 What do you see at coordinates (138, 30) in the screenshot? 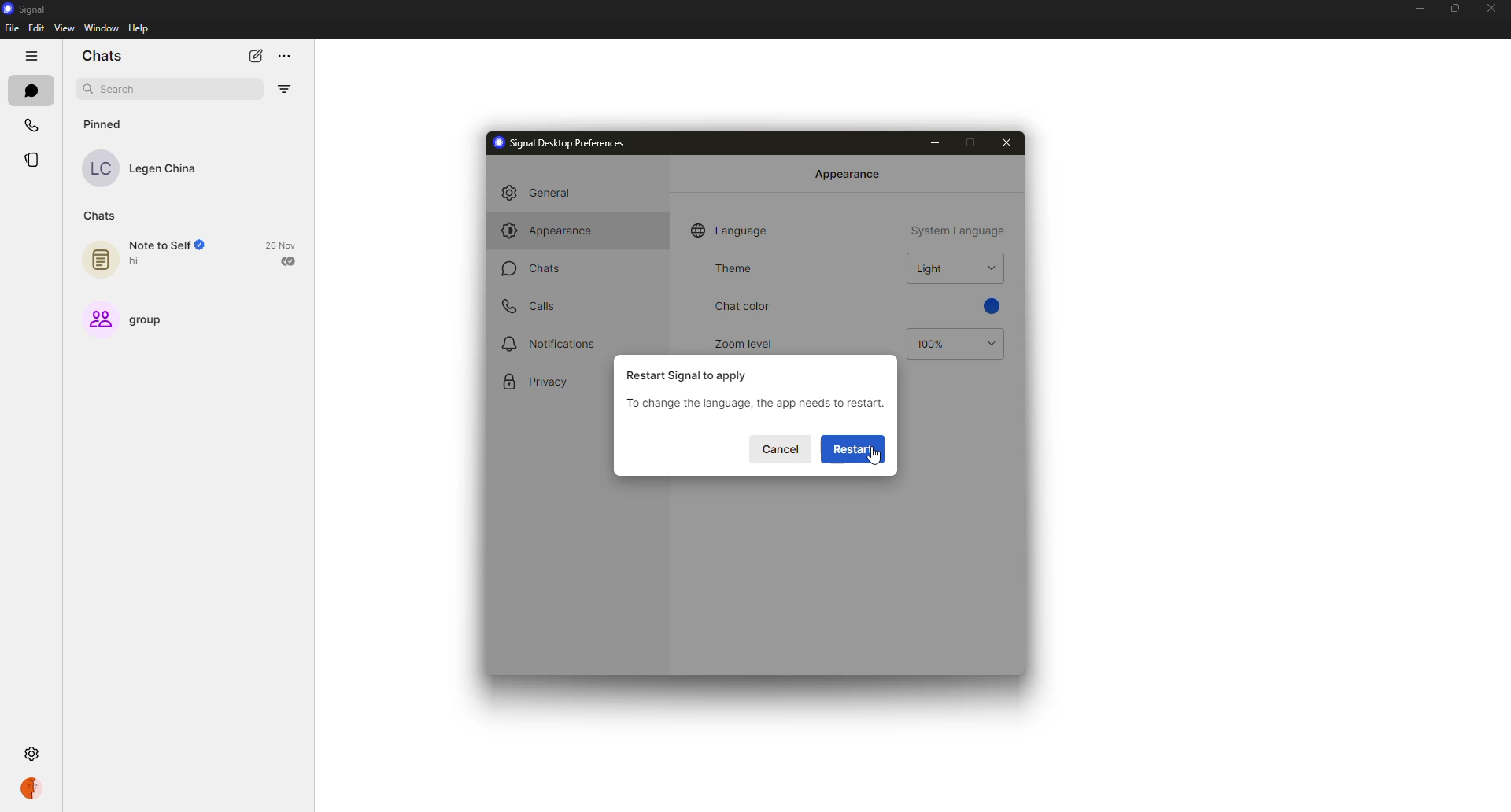
I see `help` at bounding box center [138, 30].